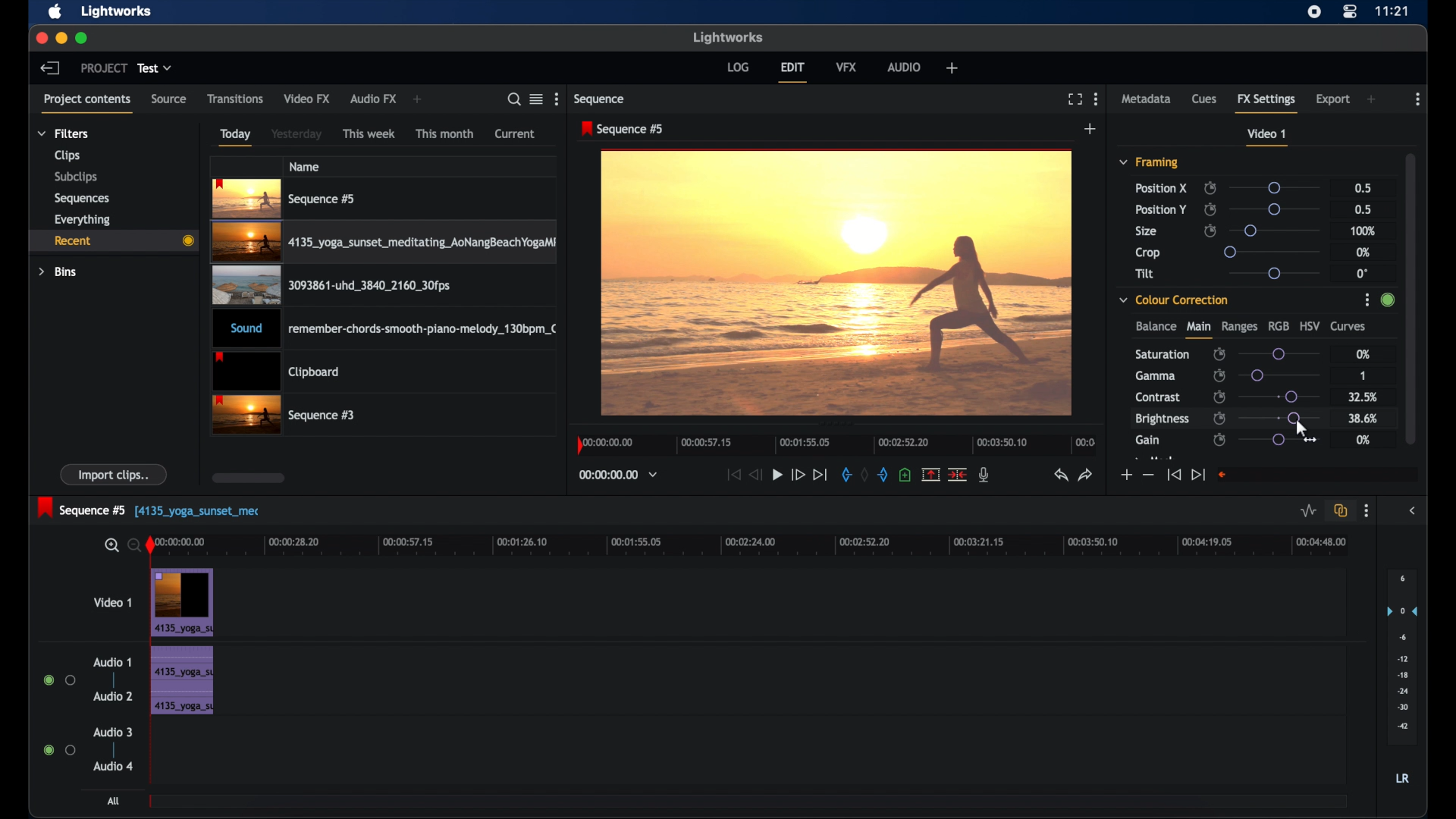  Describe the element at coordinates (114, 695) in the screenshot. I see `audio 2` at that location.